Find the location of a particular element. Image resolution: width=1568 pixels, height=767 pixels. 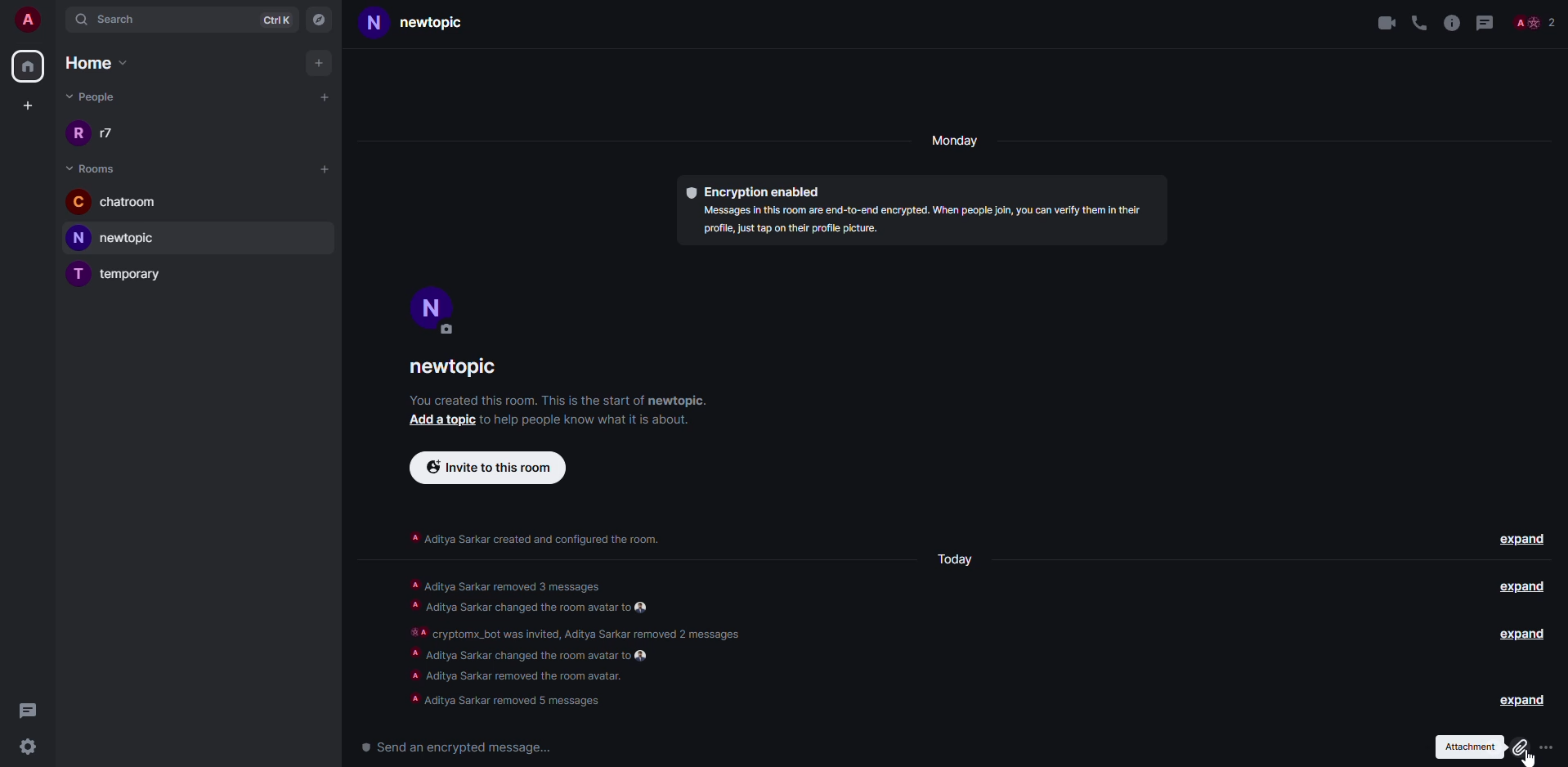

account is located at coordinates (25, 16).